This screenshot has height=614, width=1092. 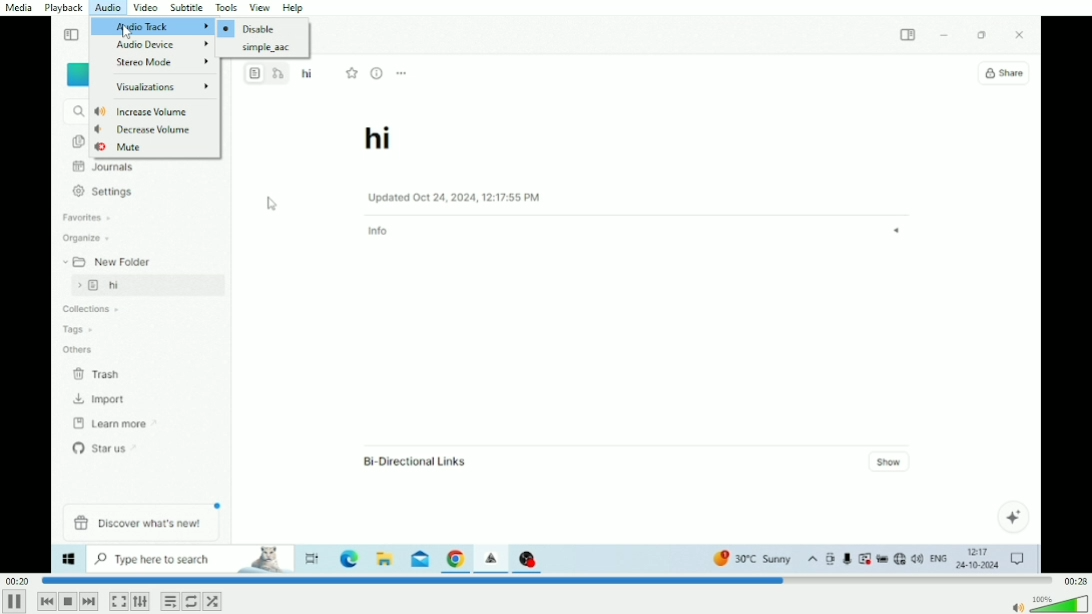 I want to click on Volume, so click(x=1049, y=603).